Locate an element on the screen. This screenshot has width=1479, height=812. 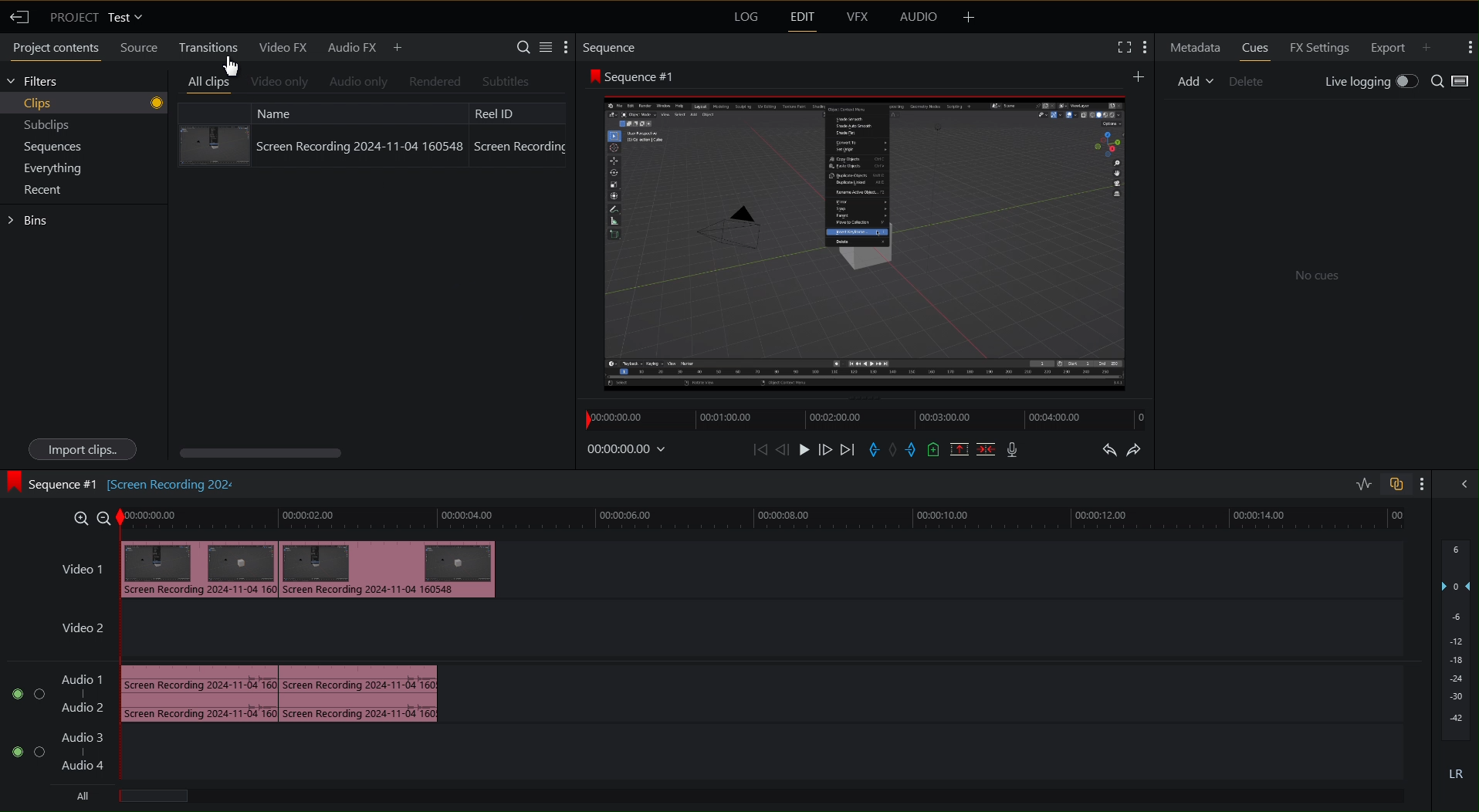
FX Settings is located at coordinates (1320, 48).